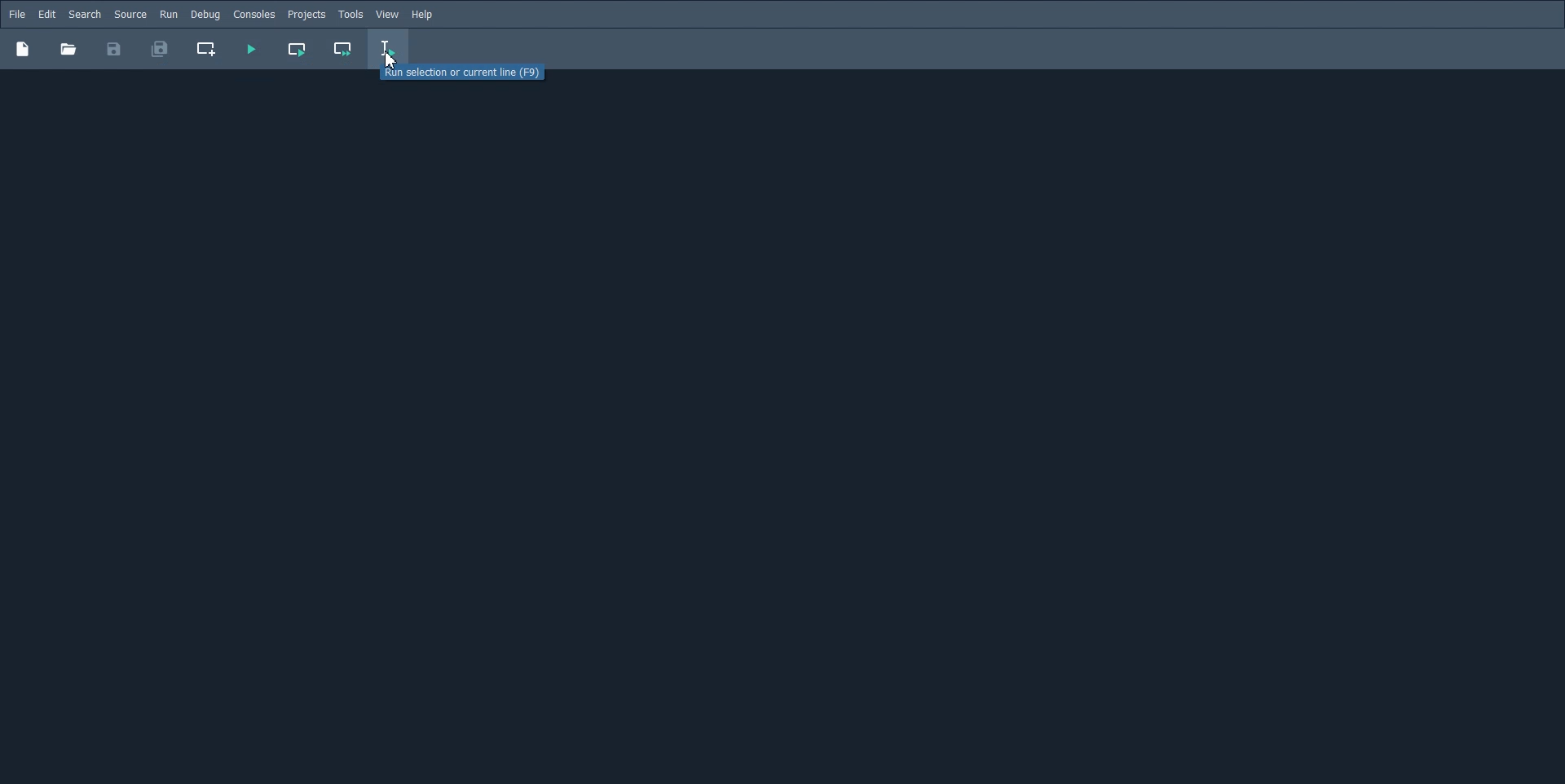 This screenshot has width=1565, height=784. I want to click on Tools, so click(350, 15).